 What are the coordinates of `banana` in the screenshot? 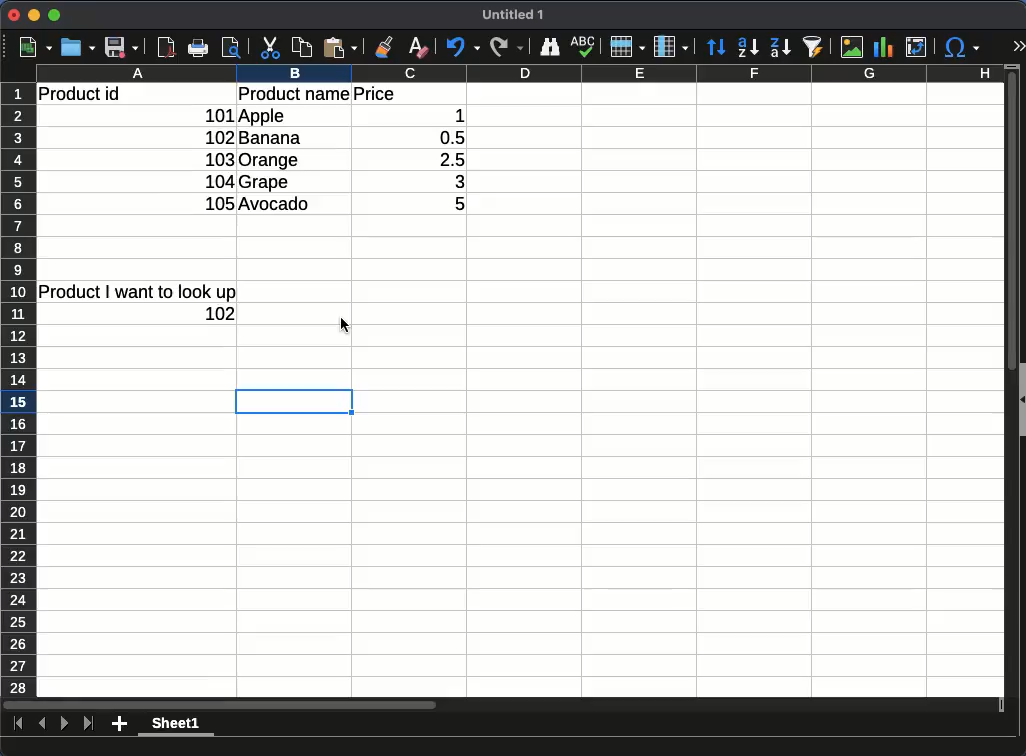 It's located at (271, 137).